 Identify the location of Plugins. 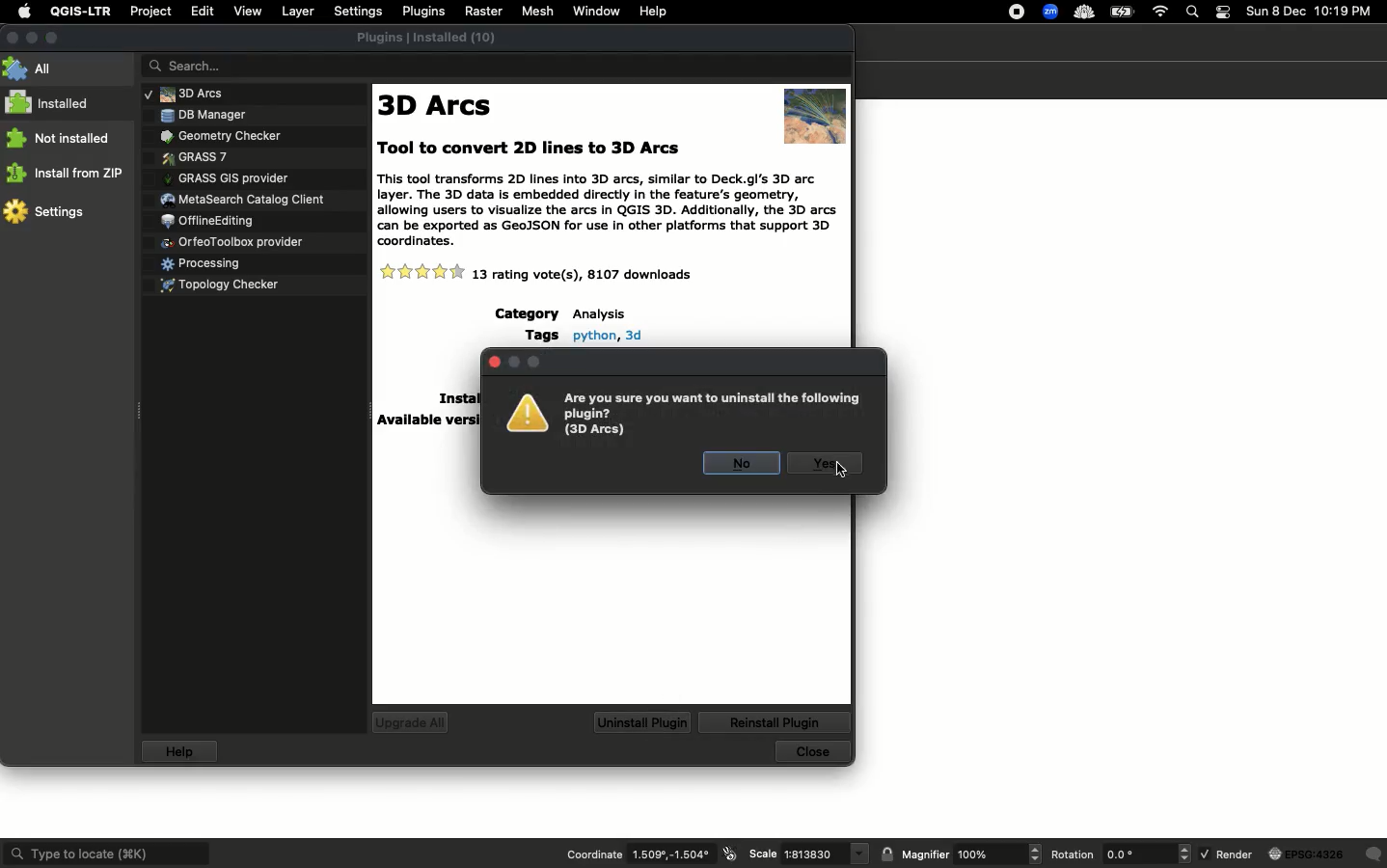
(229, 283).